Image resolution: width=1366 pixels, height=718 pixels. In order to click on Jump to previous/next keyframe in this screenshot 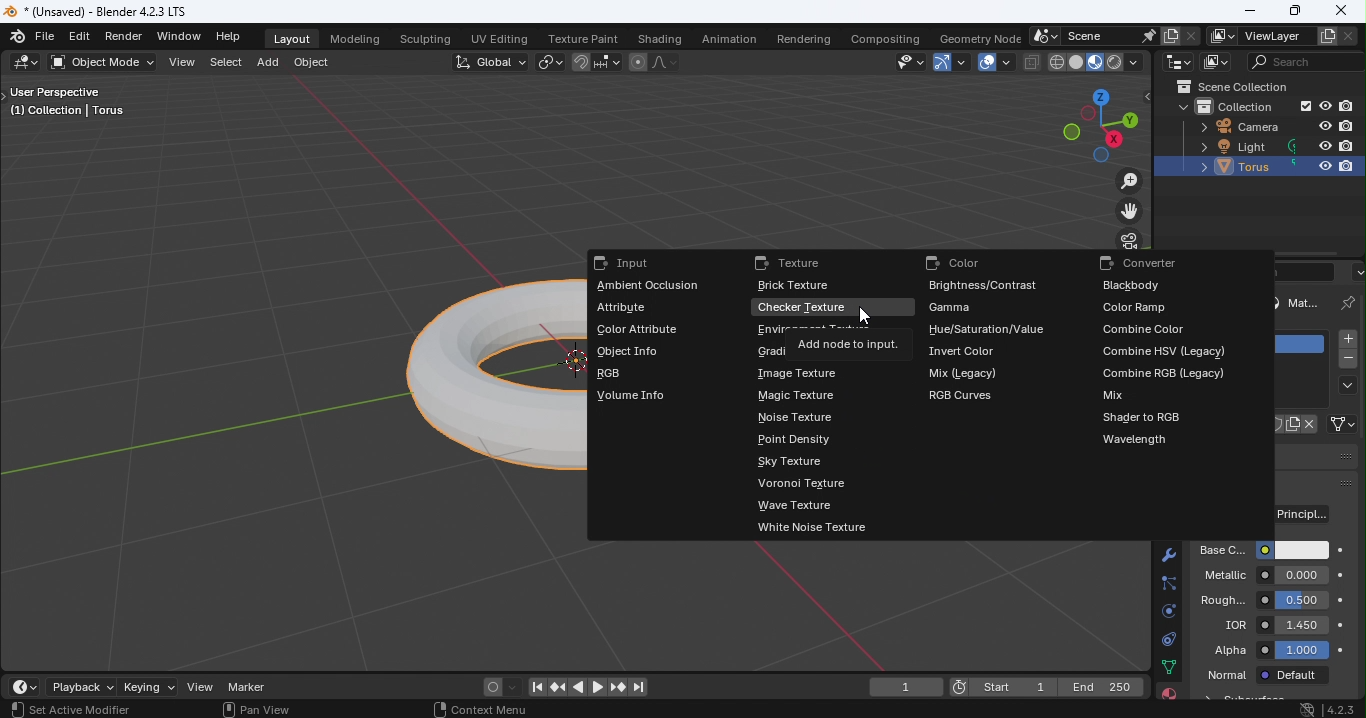, I will do `click(557, 688)`.